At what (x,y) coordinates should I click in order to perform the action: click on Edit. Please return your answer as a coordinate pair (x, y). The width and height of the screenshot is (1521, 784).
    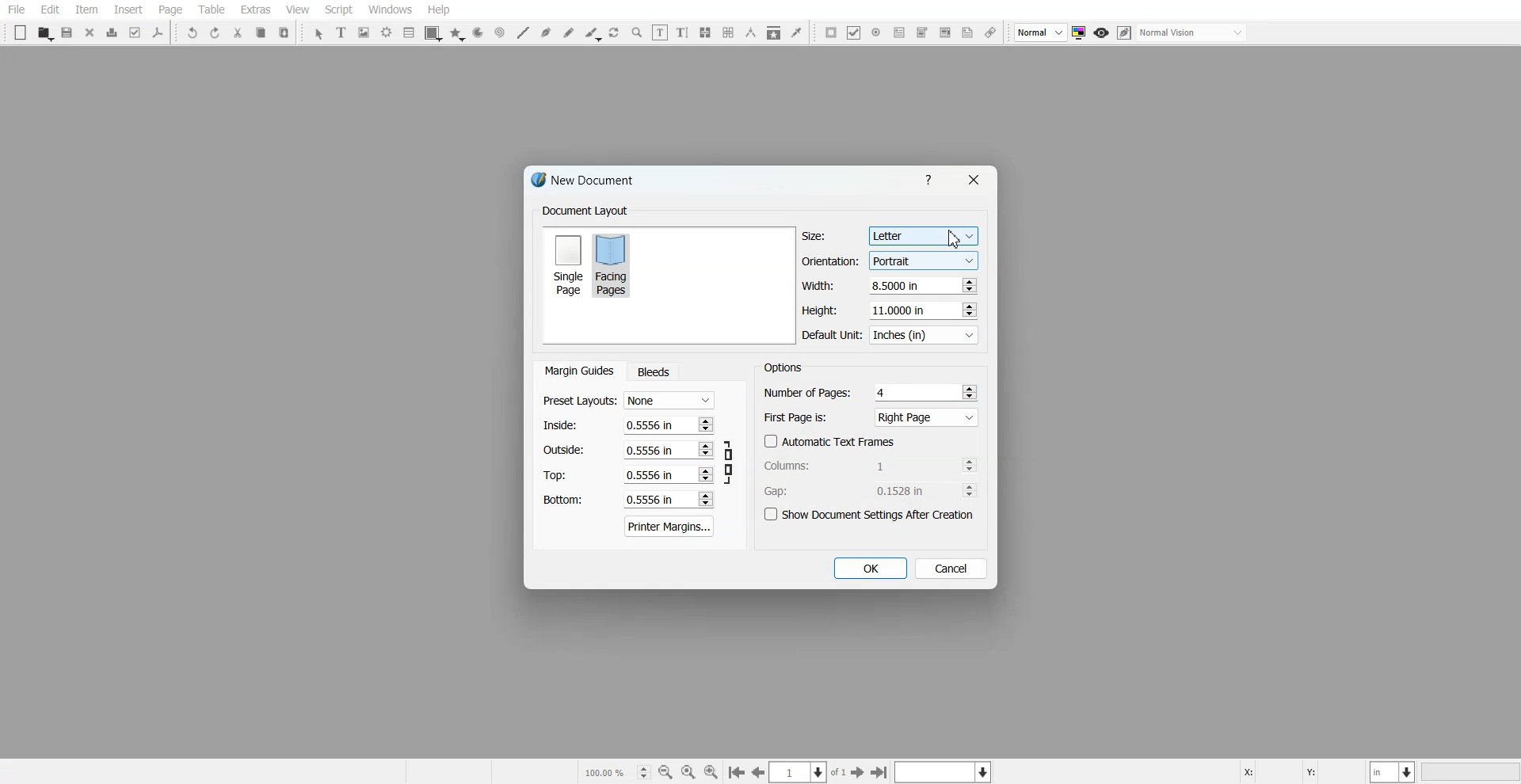
    Looking at the image, I should click on (49, 10).